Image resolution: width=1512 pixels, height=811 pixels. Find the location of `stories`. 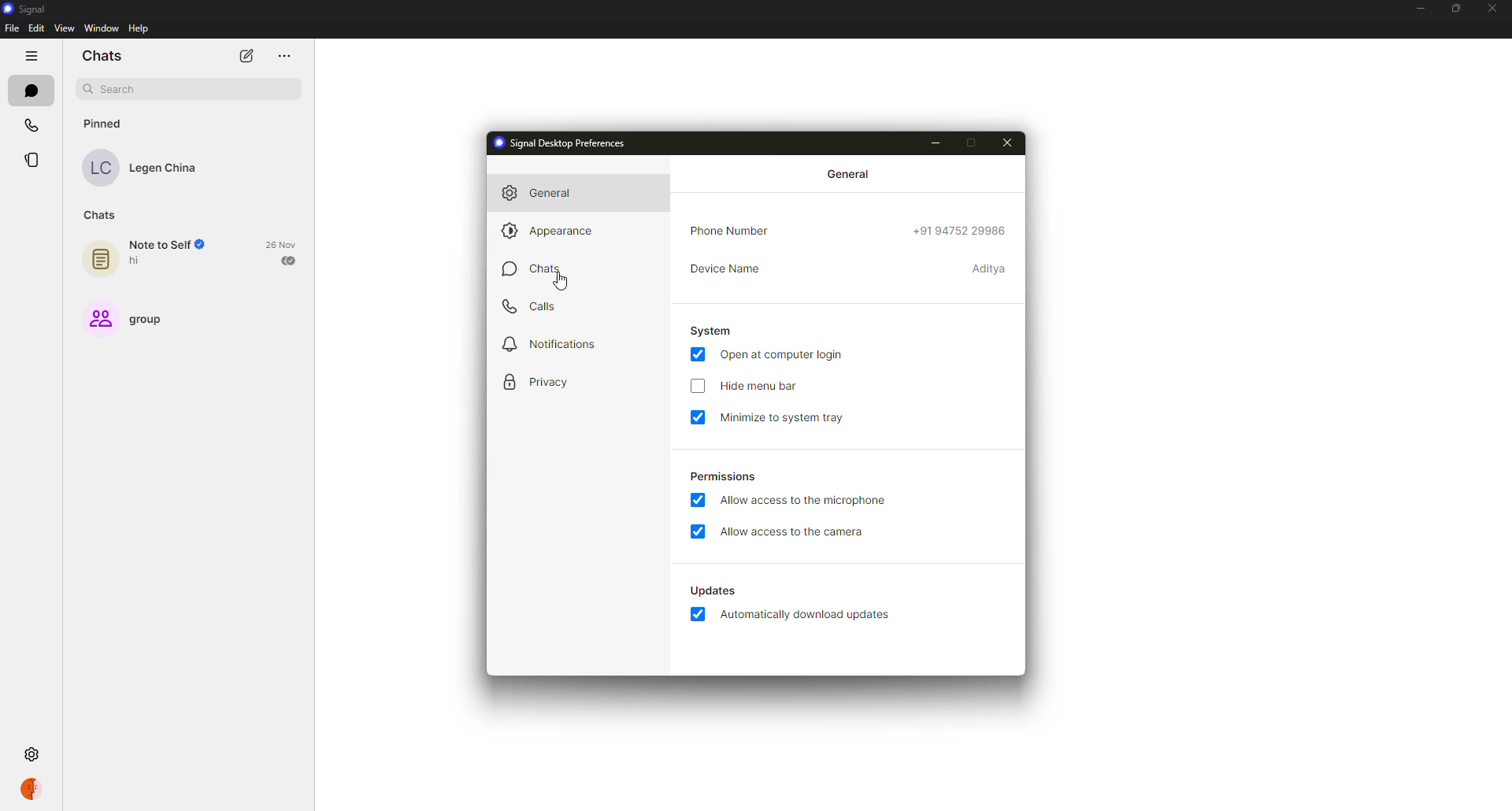

stories is located at coordinates (31, 161).